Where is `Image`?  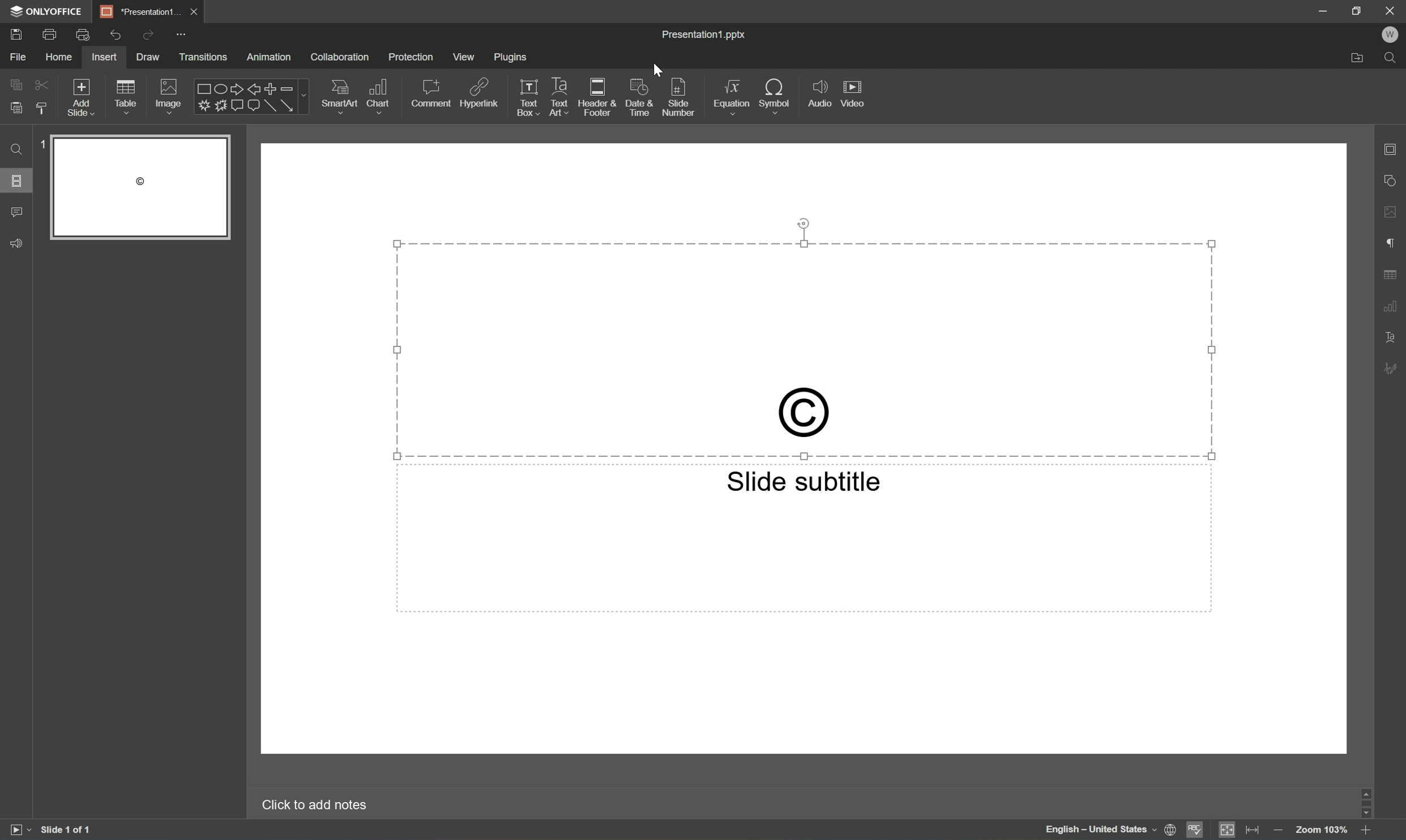
Image is located at coordinates (168, 96).